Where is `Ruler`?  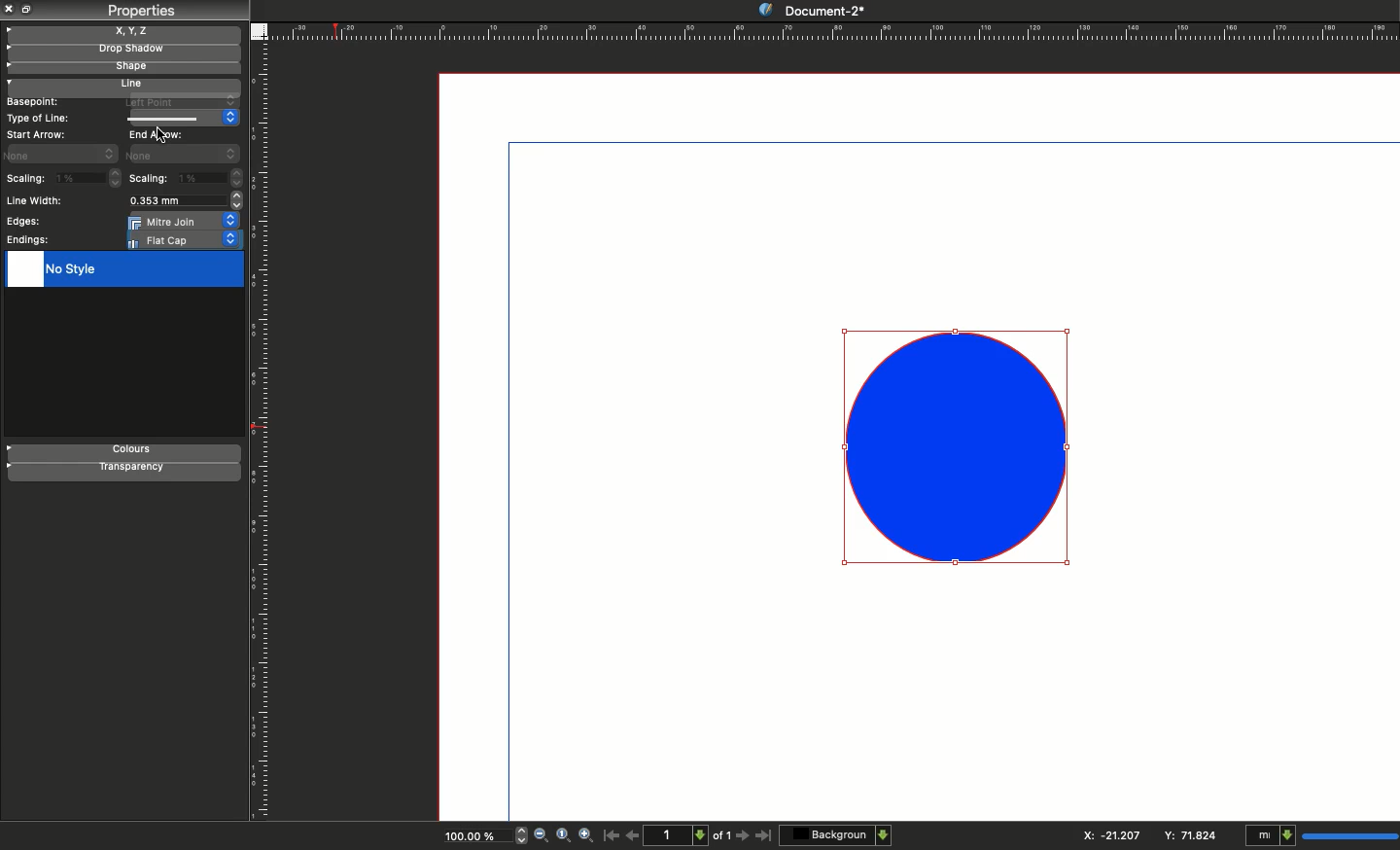 Ruler is located at coordinates (833, 31).